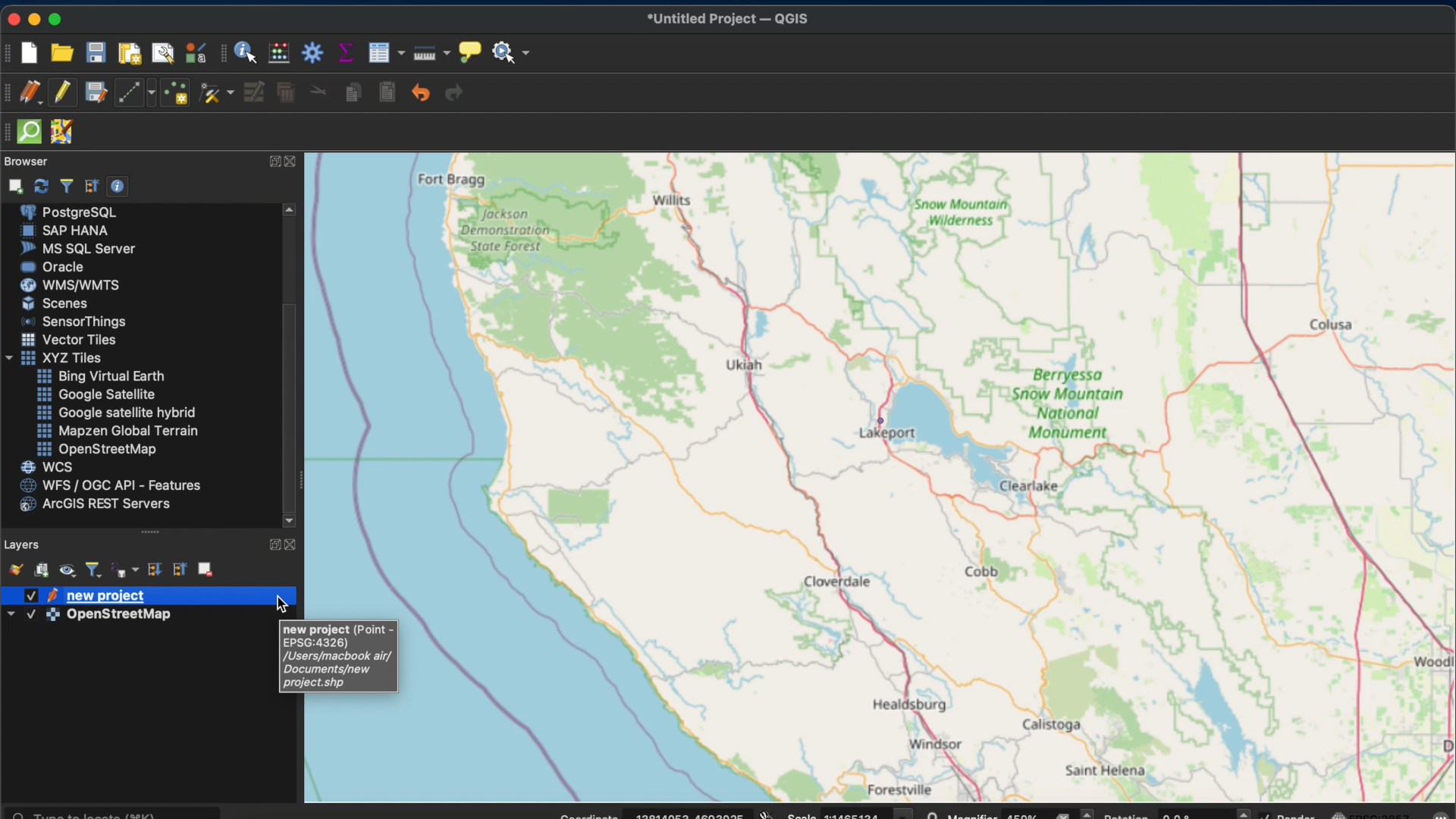 Image resolution: width=1456 pixels, height=819 pixels. I want to click on minimize, so click(36, 19).